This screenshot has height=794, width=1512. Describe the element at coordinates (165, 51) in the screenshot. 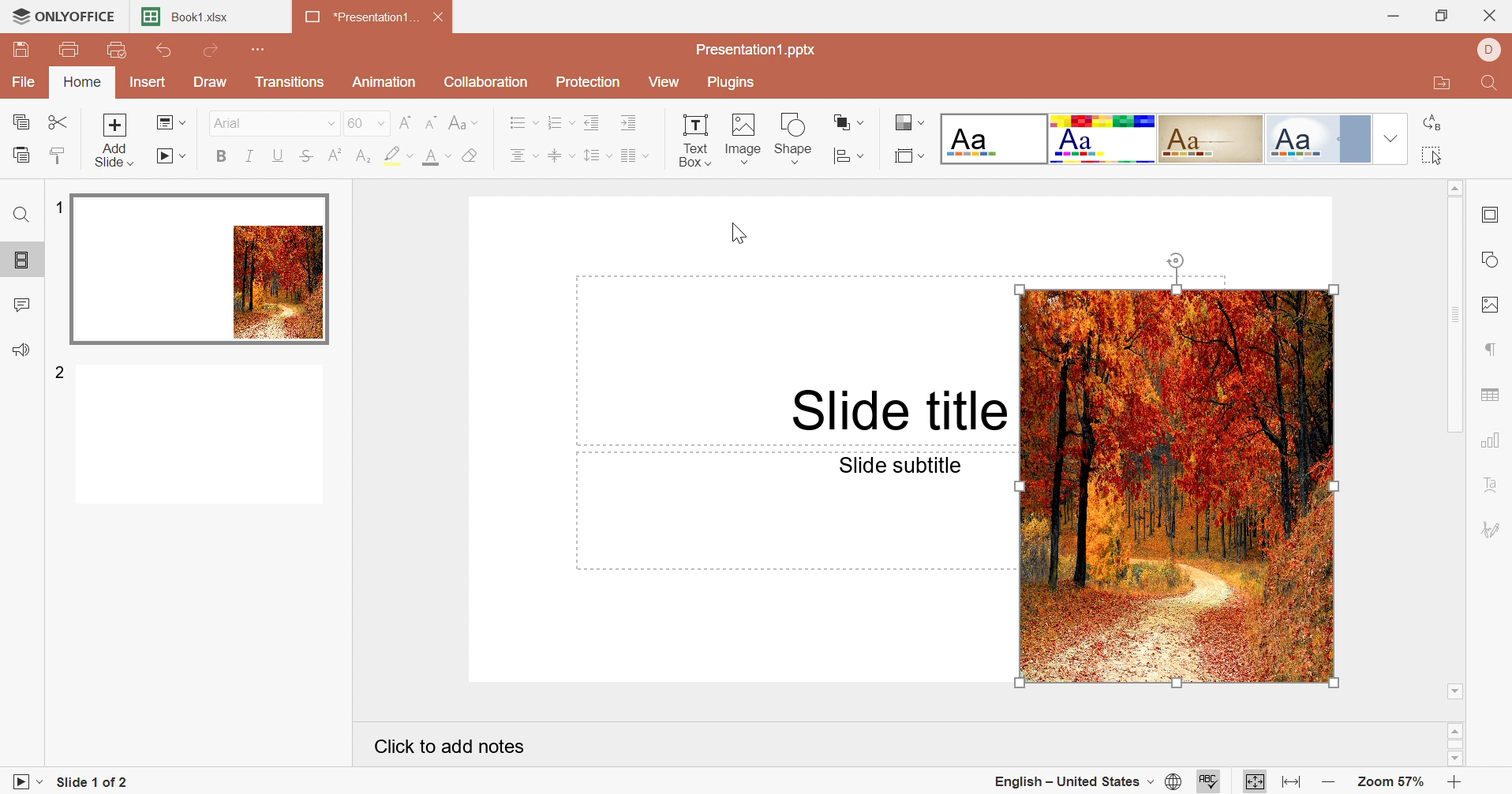

I see `Undo` at that location.